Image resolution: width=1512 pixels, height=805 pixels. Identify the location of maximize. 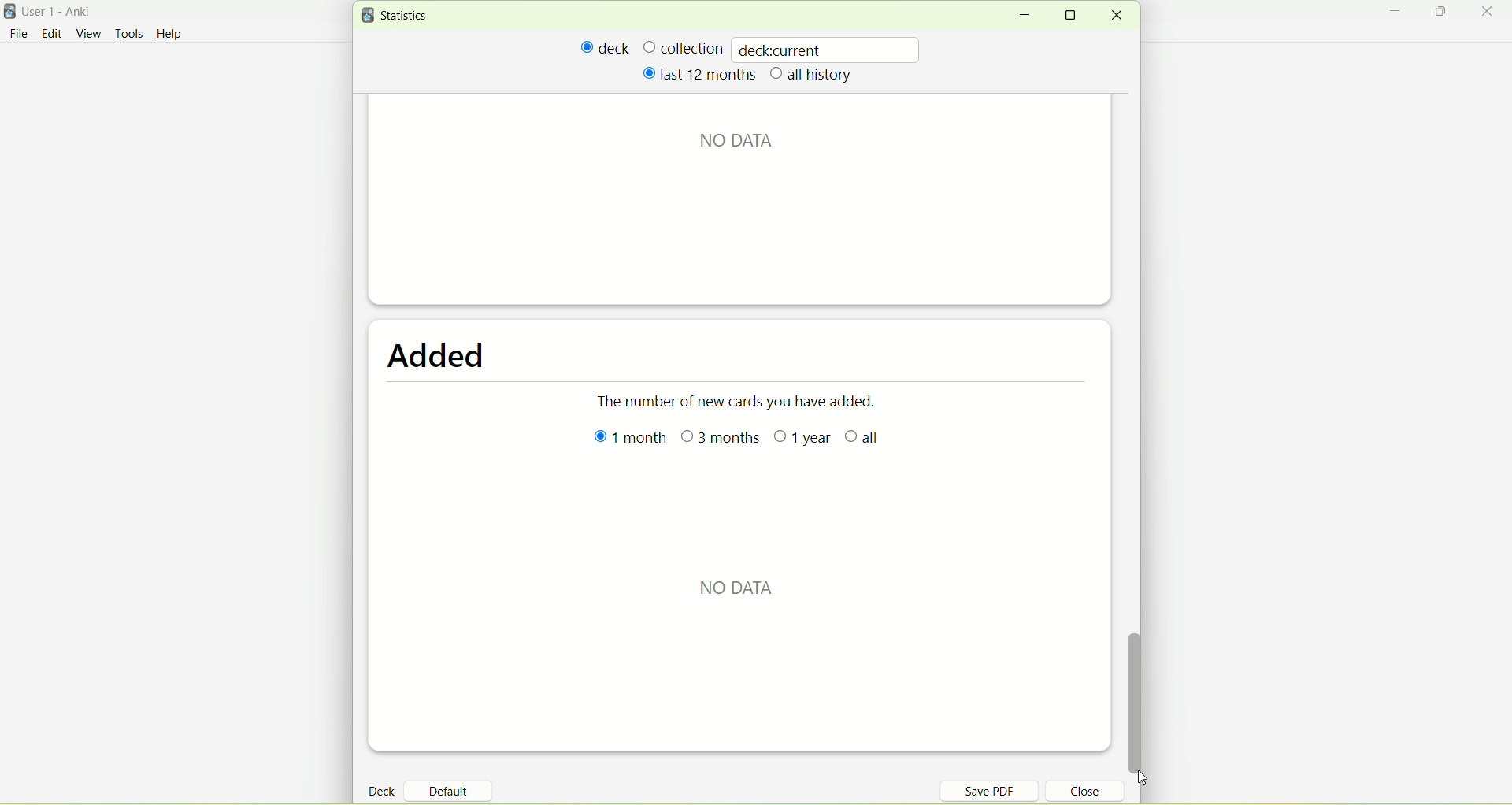
(1443, 14).